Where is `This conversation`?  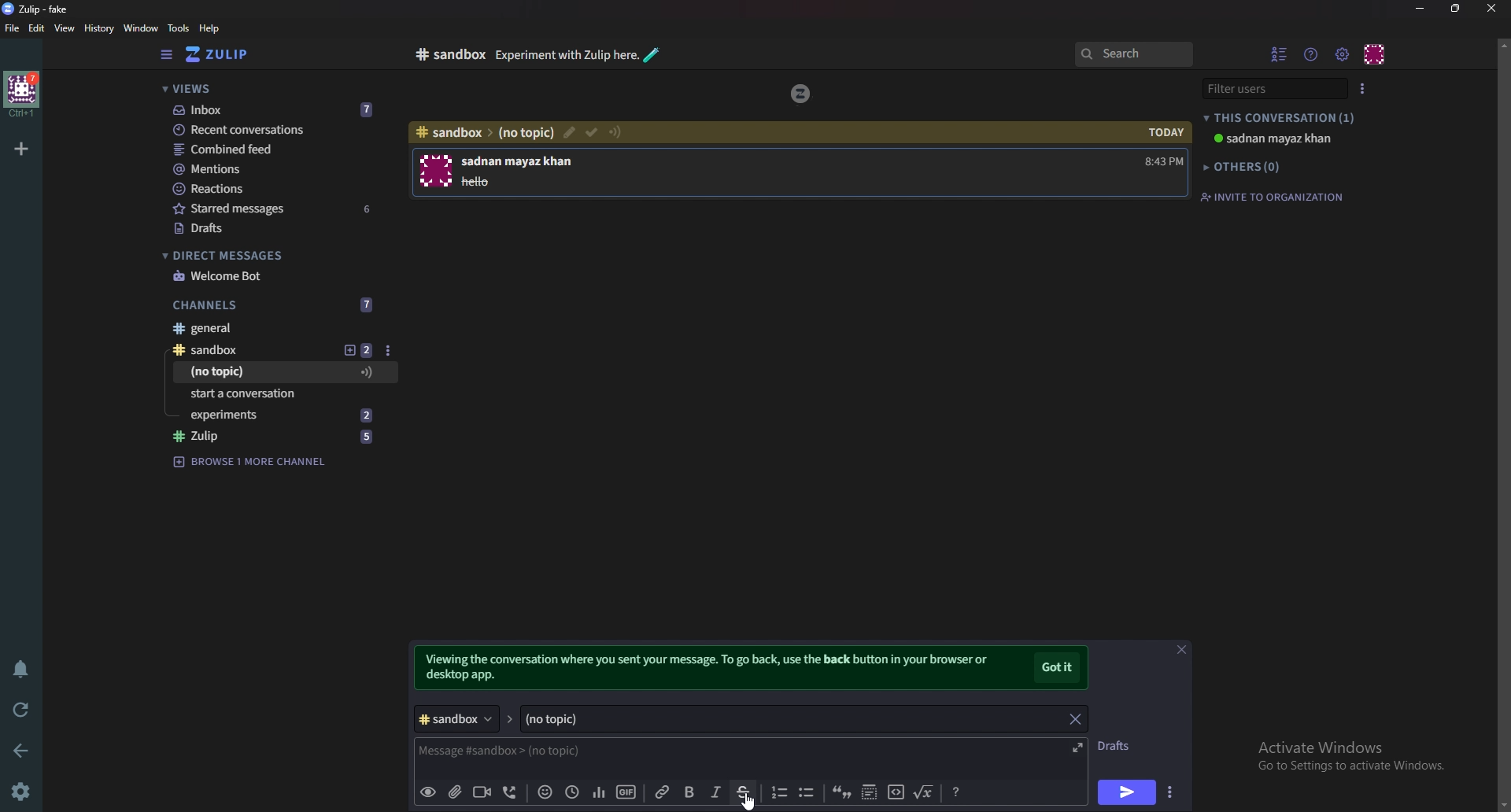
This conversation is located at coordinates (1280, 117).